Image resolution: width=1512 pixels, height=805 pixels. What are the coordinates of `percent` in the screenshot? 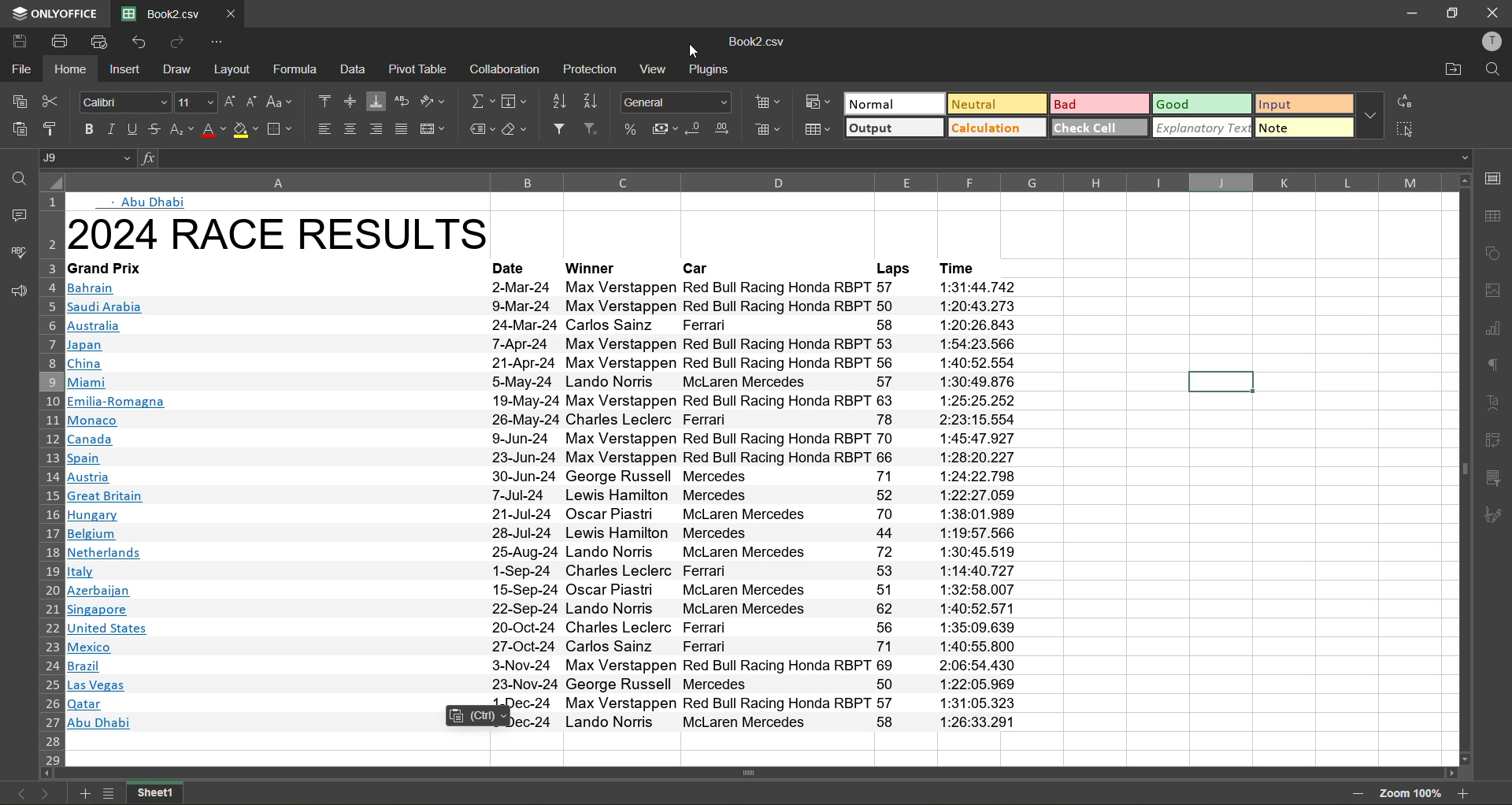 It's located at (628, 131).